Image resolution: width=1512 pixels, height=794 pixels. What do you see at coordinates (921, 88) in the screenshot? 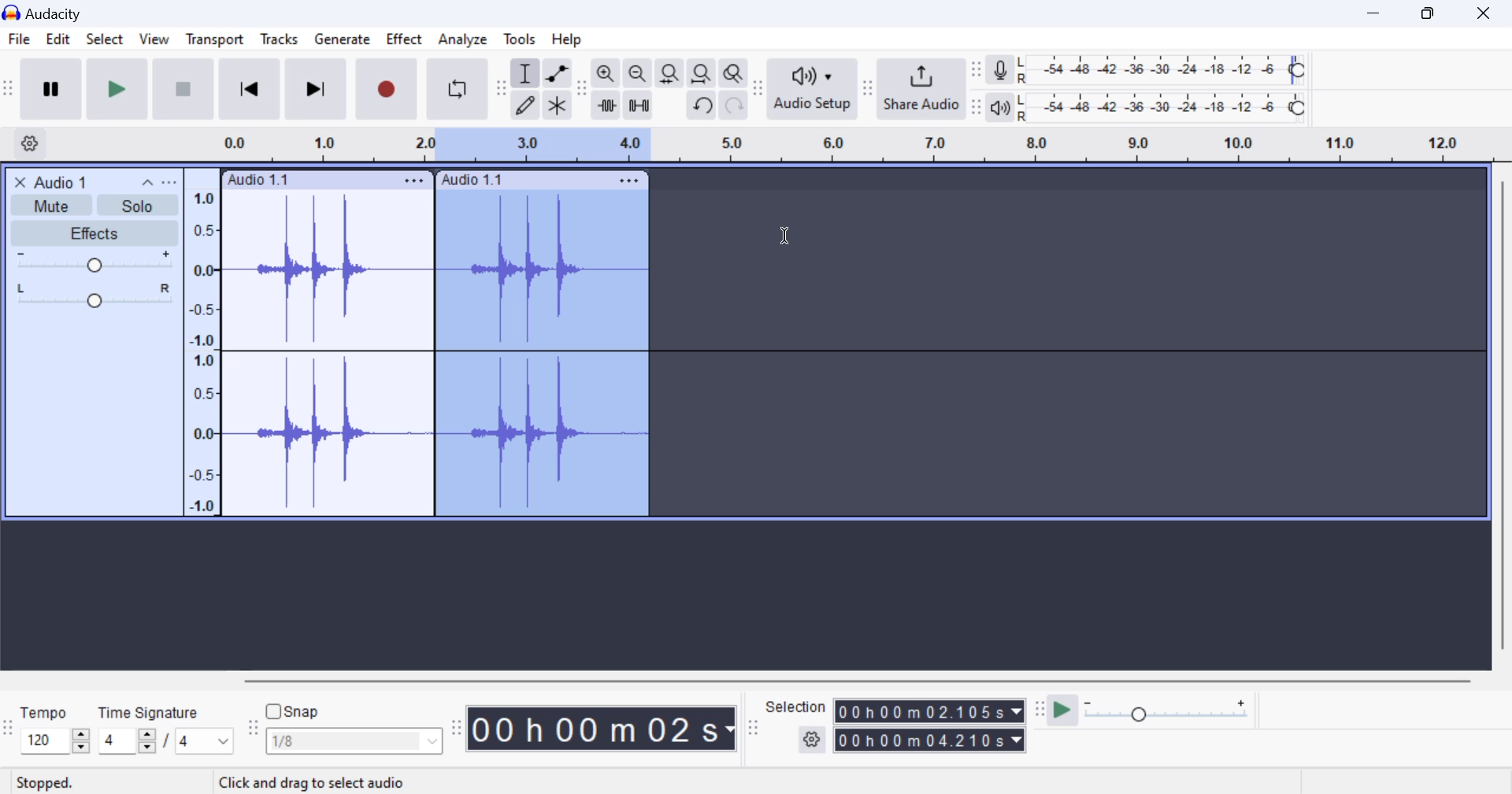
I see `Share Audio` at bounding box center [921, 88].